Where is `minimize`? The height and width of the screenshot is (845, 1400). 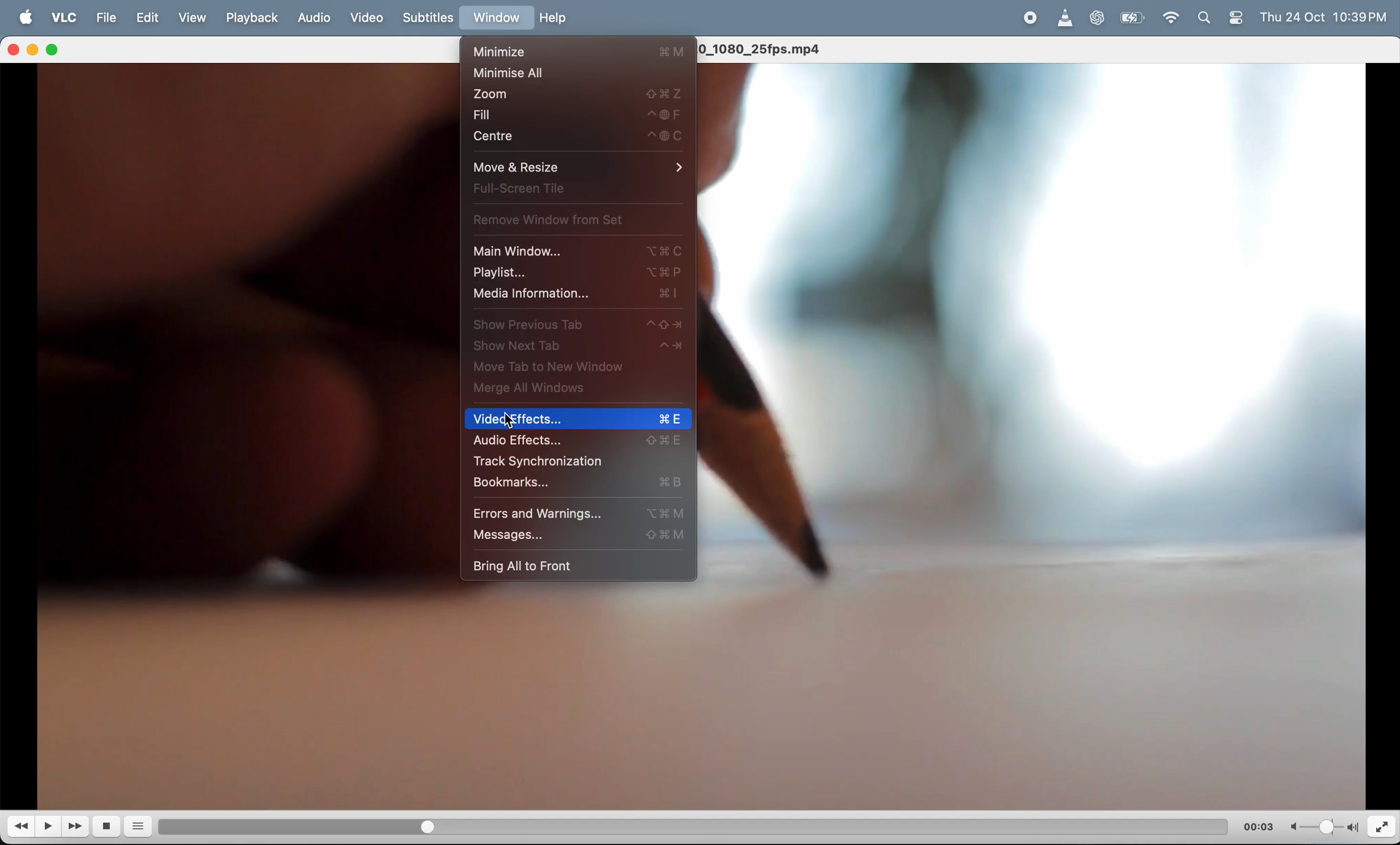
minimize is located at coordinates (581, 51).